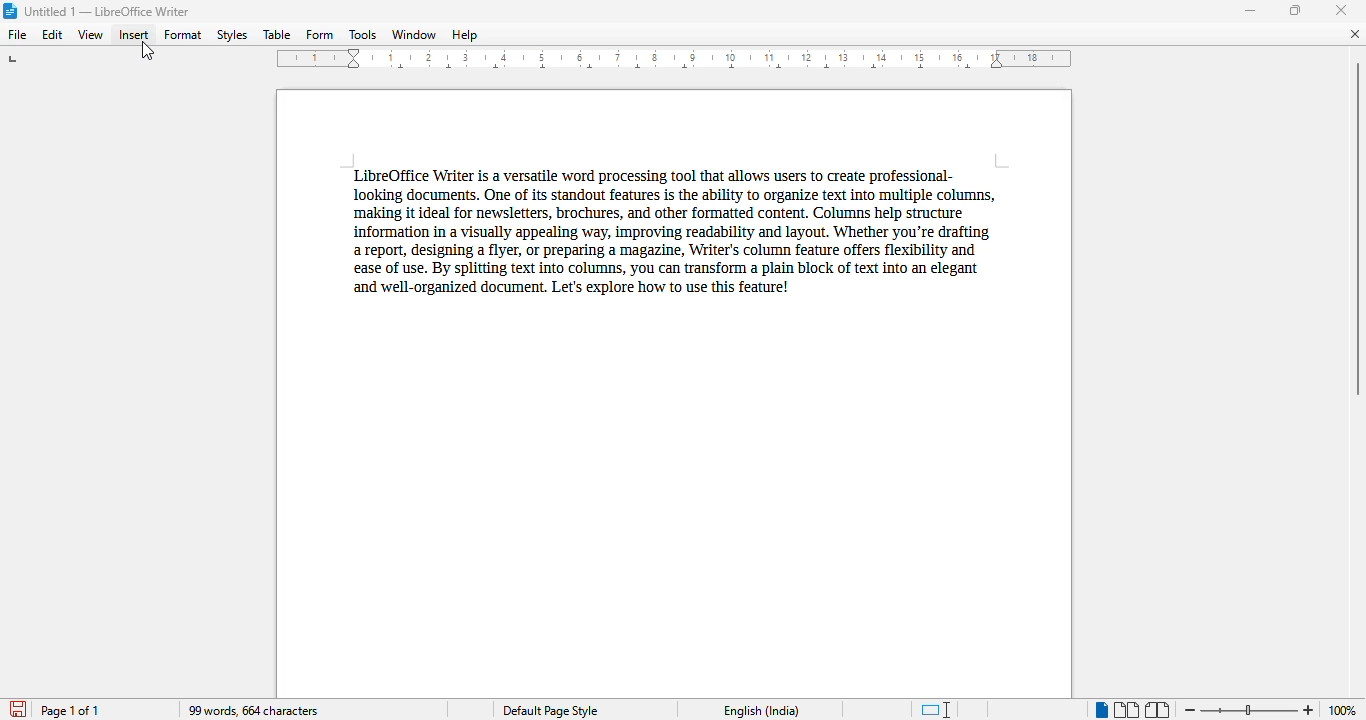  Describe the element at coordinates (550, 711) in the screenshot. I see `Default page style` at that location.